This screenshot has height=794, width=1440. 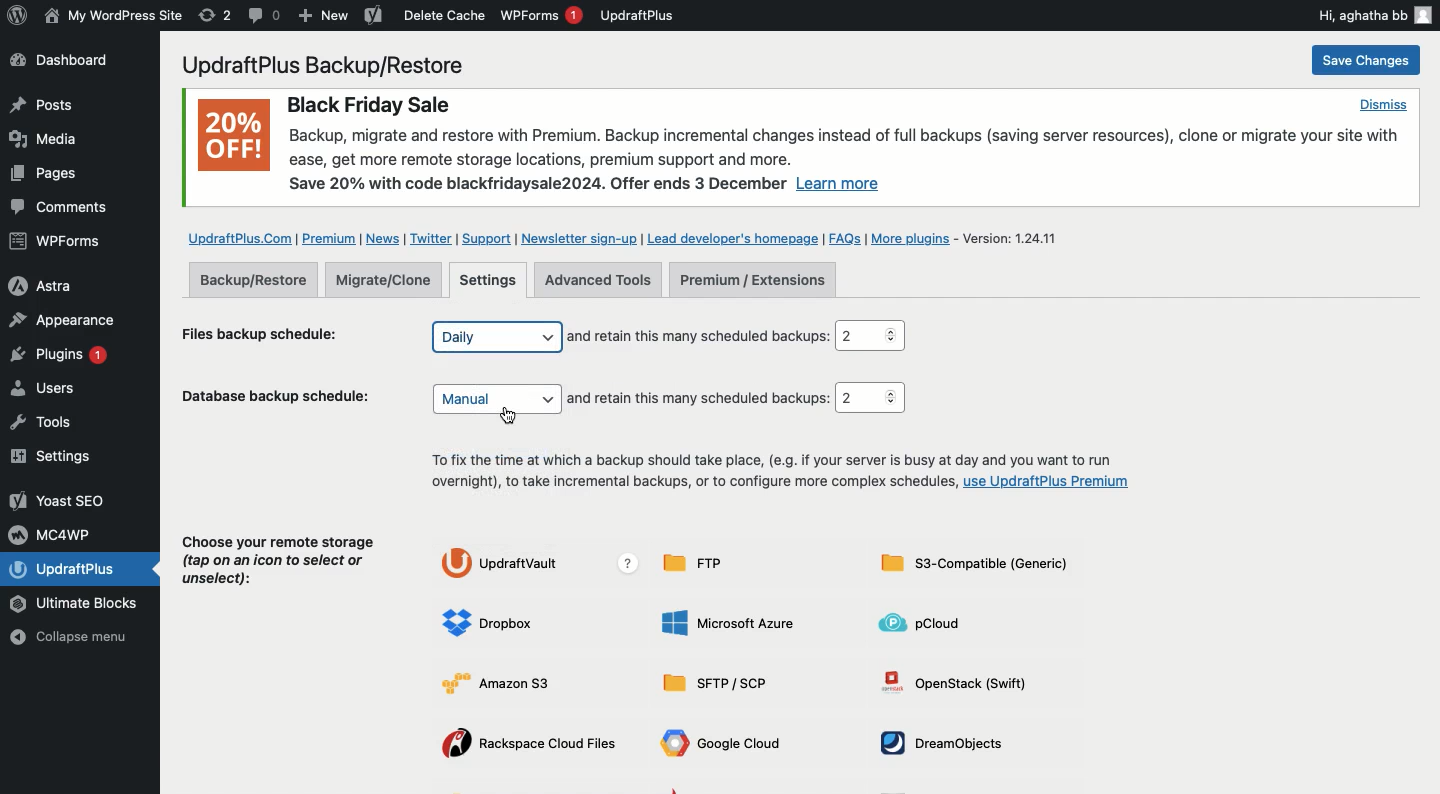 I want to click on Appearance, so click(x=62, y=319).